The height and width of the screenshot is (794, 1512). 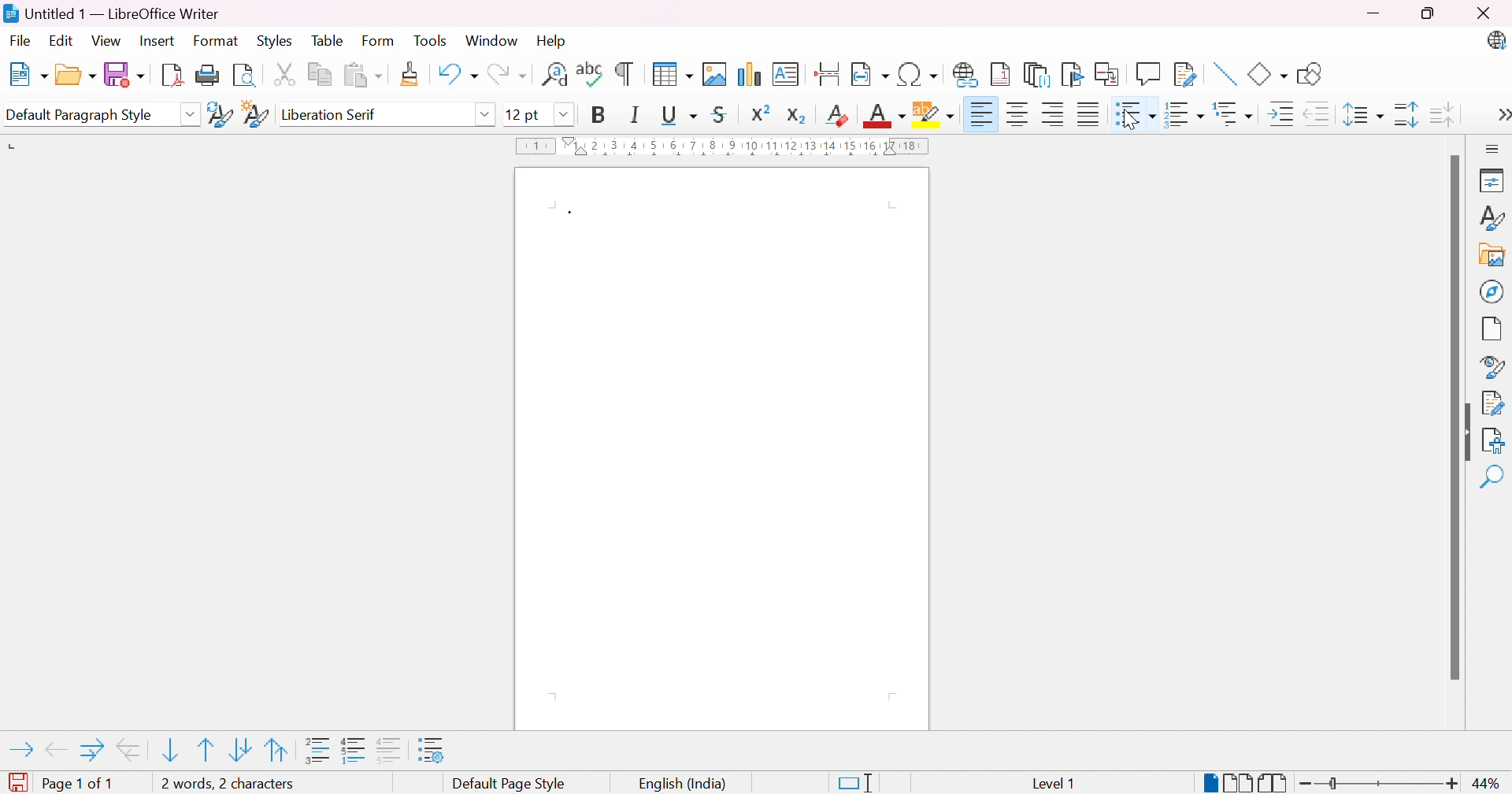 What do you see at coordinates (1492, 328) in the screenshot?
I see `Page` at bounding box center [1492, 328].